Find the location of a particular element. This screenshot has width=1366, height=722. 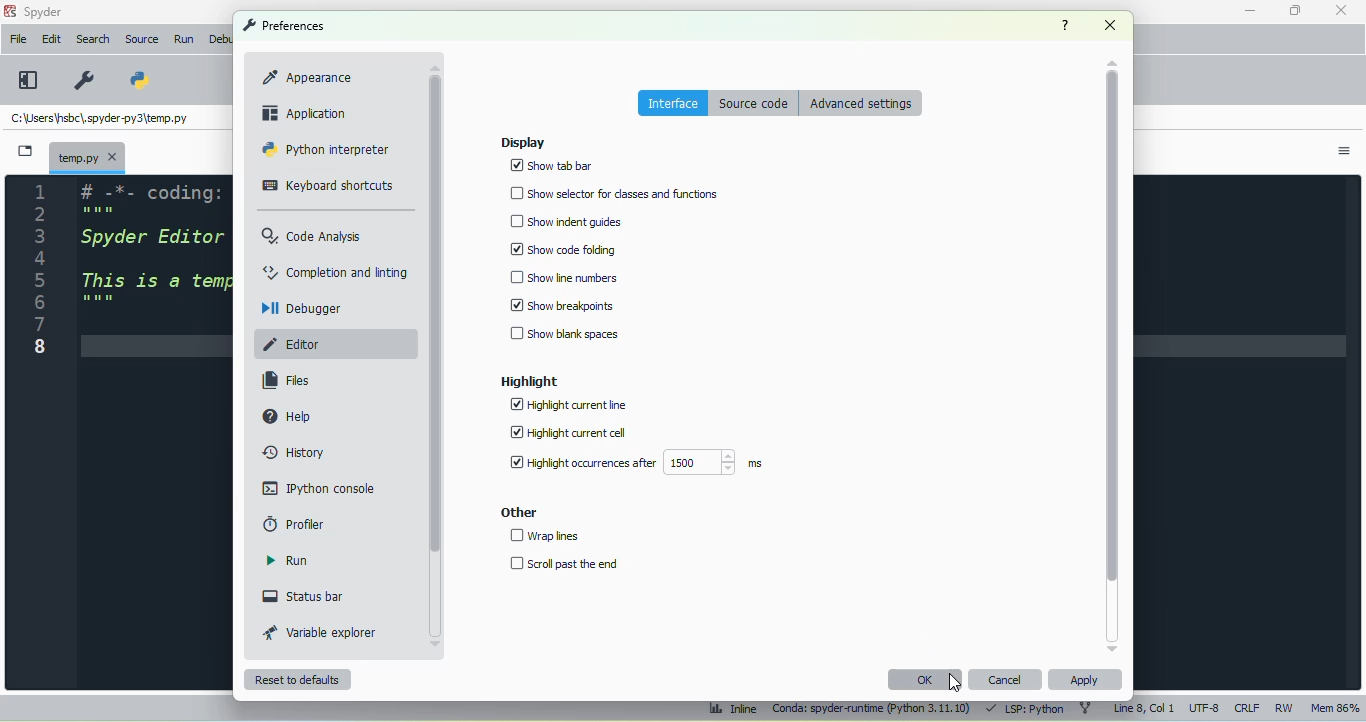

files is located at coordinates (289, 380).